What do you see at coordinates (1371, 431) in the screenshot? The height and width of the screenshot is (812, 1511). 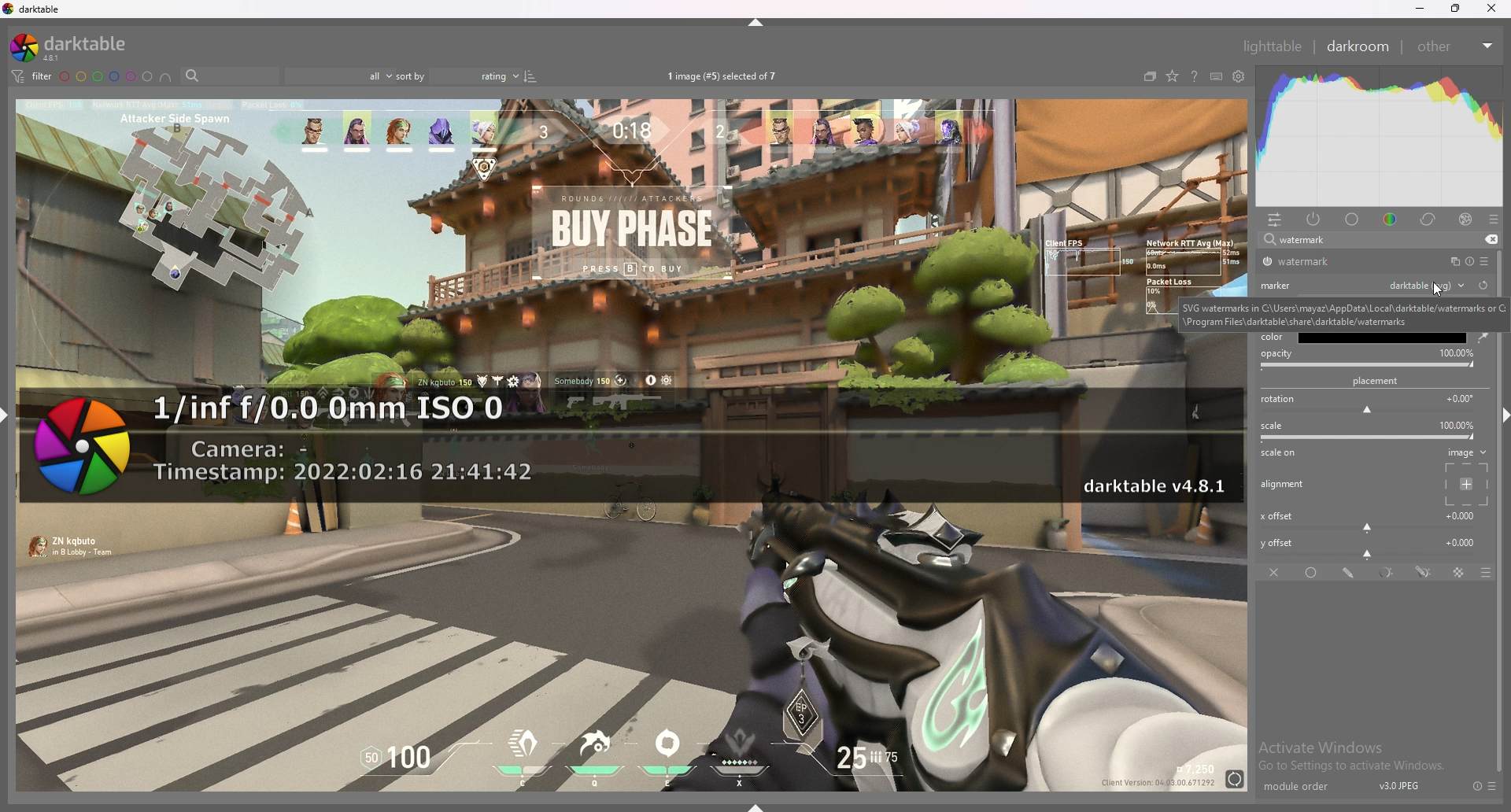 I see `scale` at bounding box center [1371, 431].